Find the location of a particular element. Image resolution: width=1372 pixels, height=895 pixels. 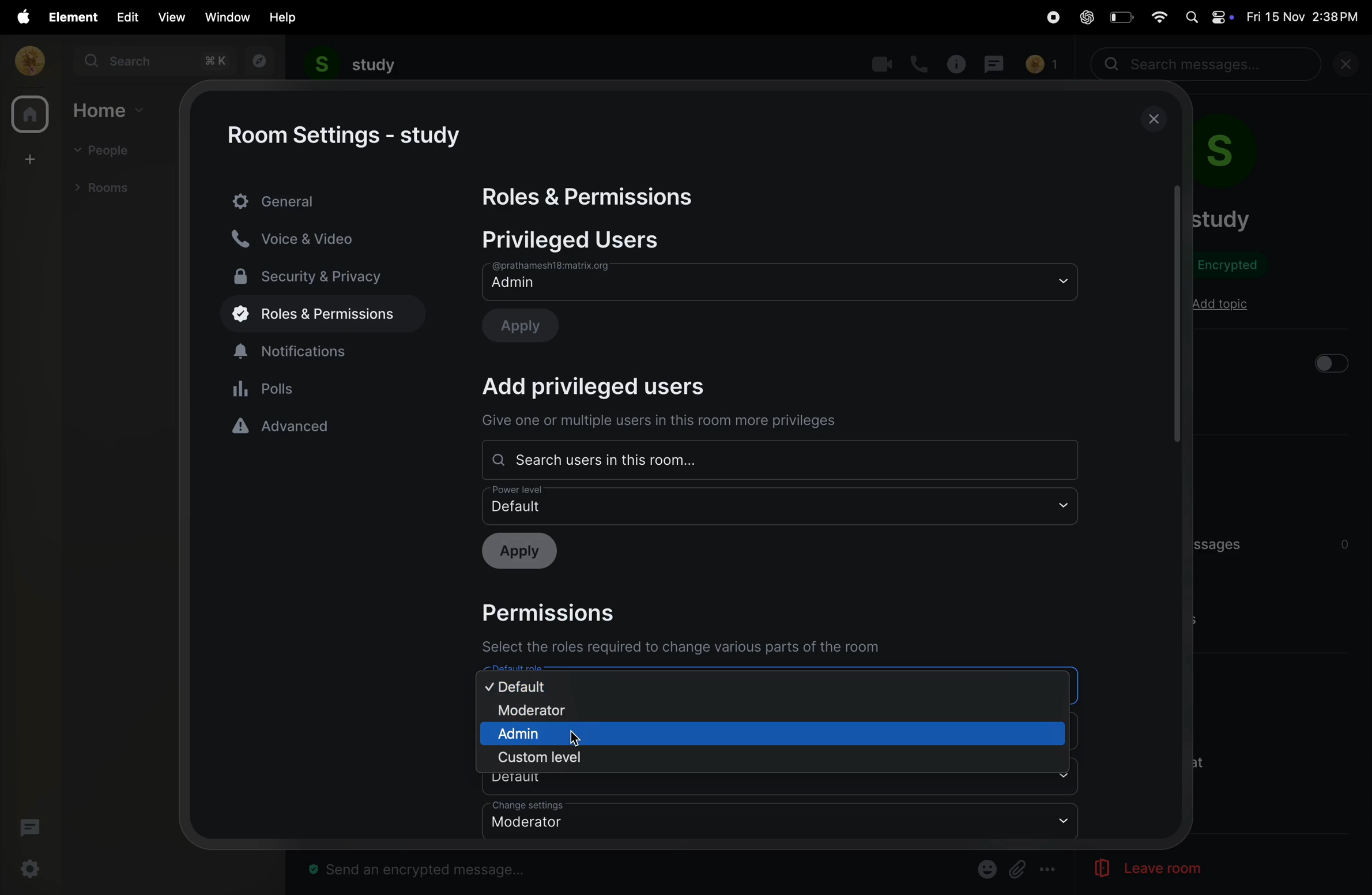

battery is located at coordinates (1120, 17).